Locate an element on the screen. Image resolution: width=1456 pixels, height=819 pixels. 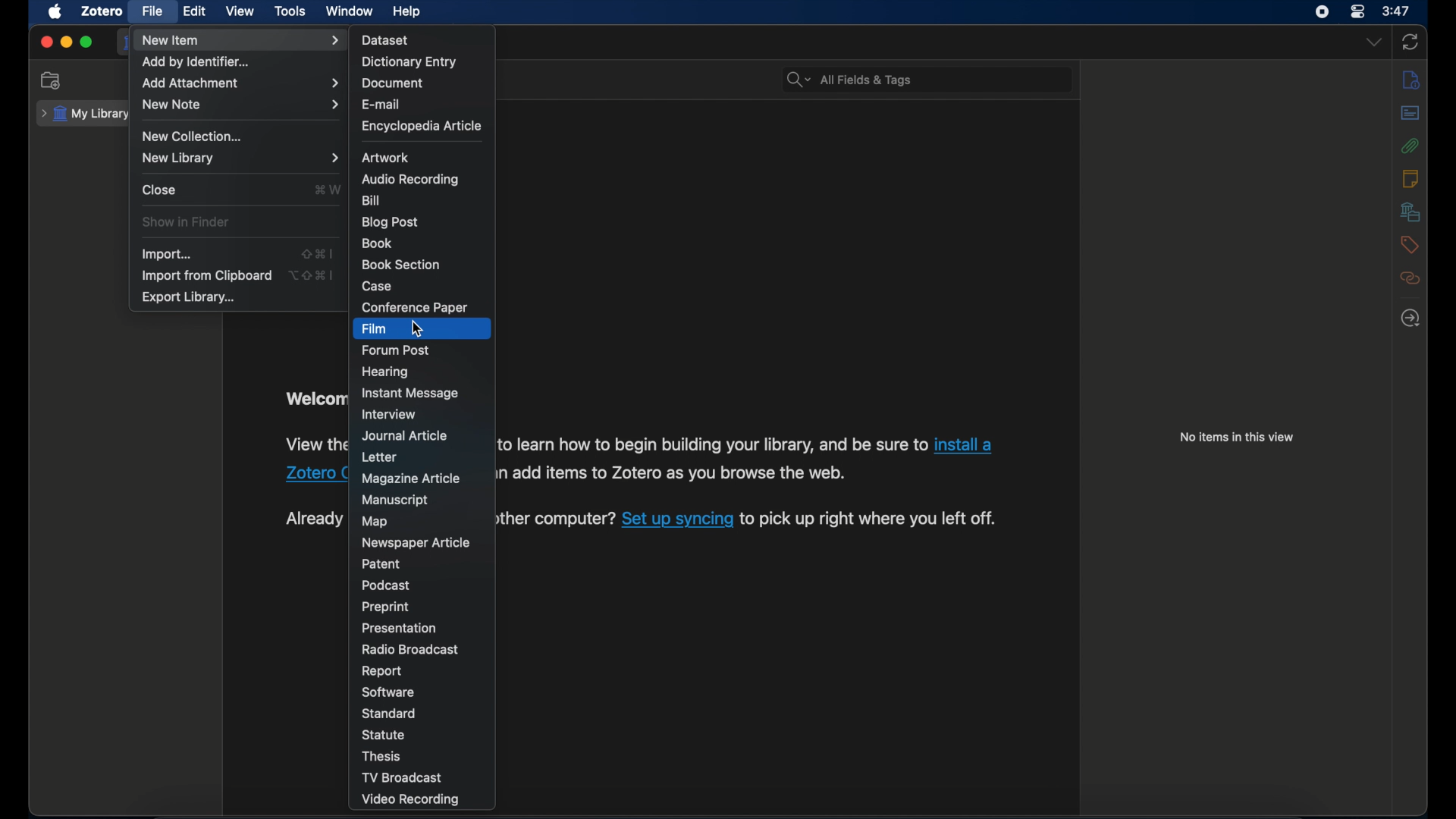
new note is located at coordinates (242, 105).